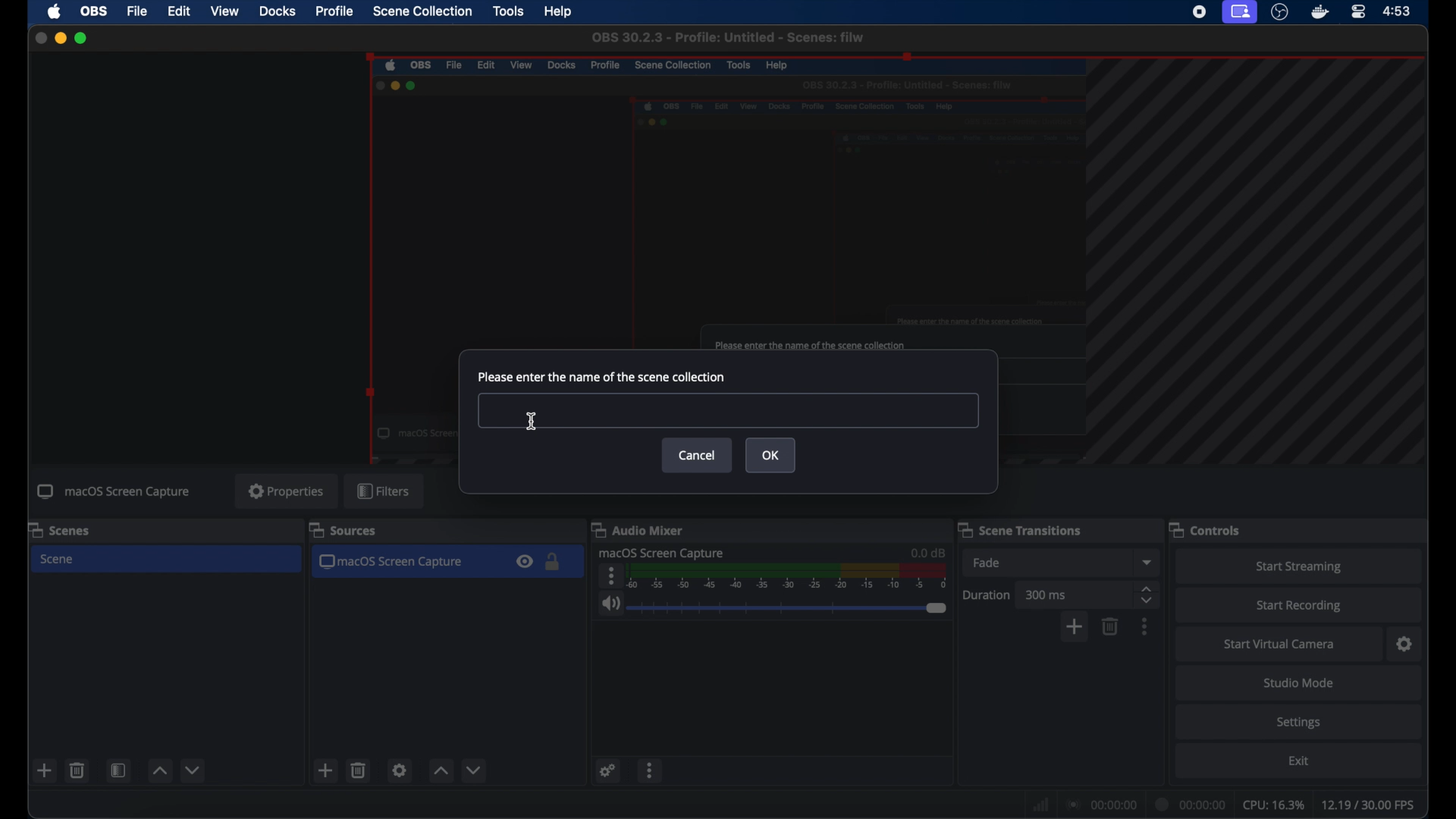 This screenshot has width=1456, height=819. Describe the element at coordinates (987, 594) in the screenshot. I see `duration` at that location.